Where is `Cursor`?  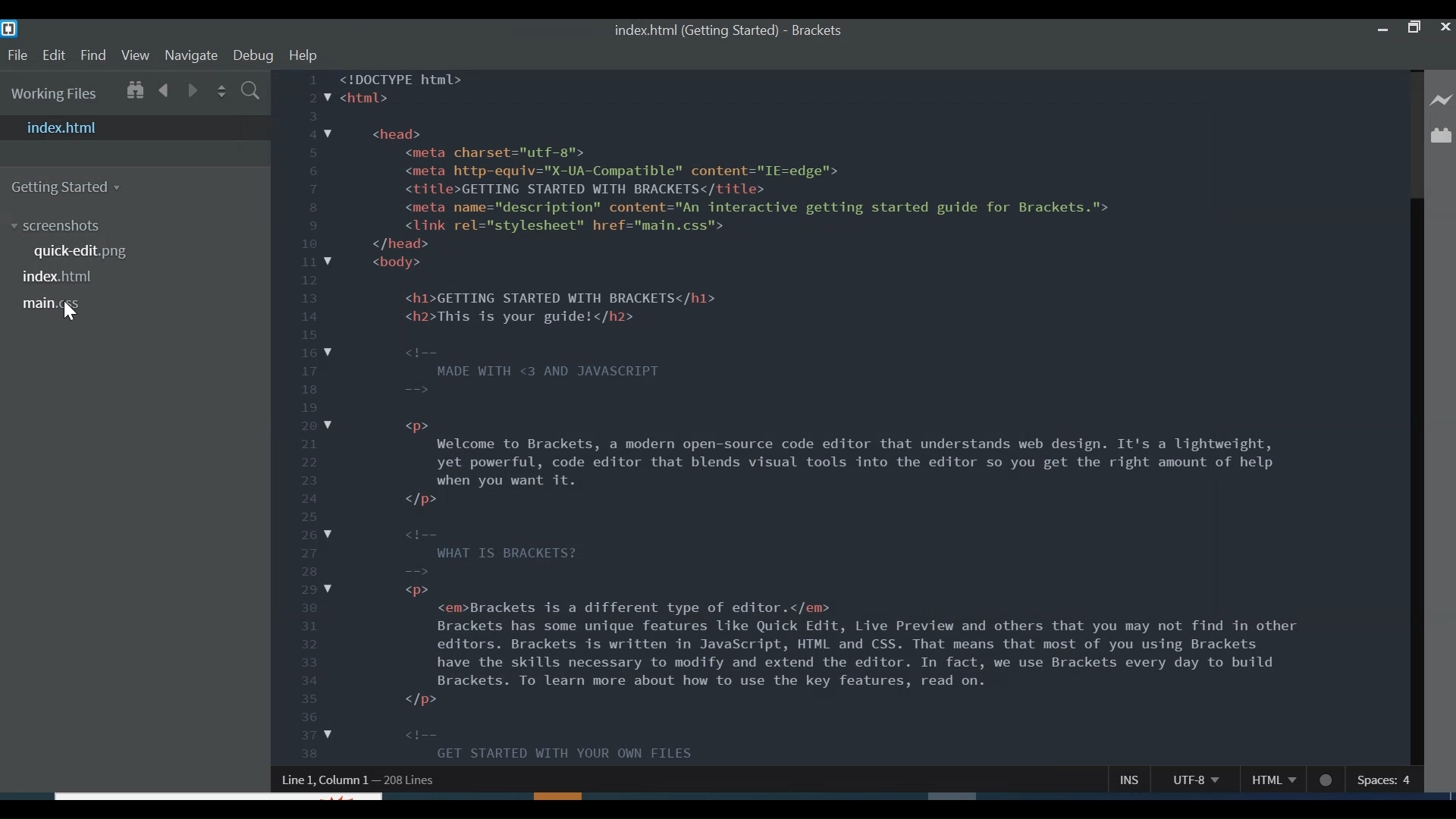
Cursor is located at coordinates (72, 313).